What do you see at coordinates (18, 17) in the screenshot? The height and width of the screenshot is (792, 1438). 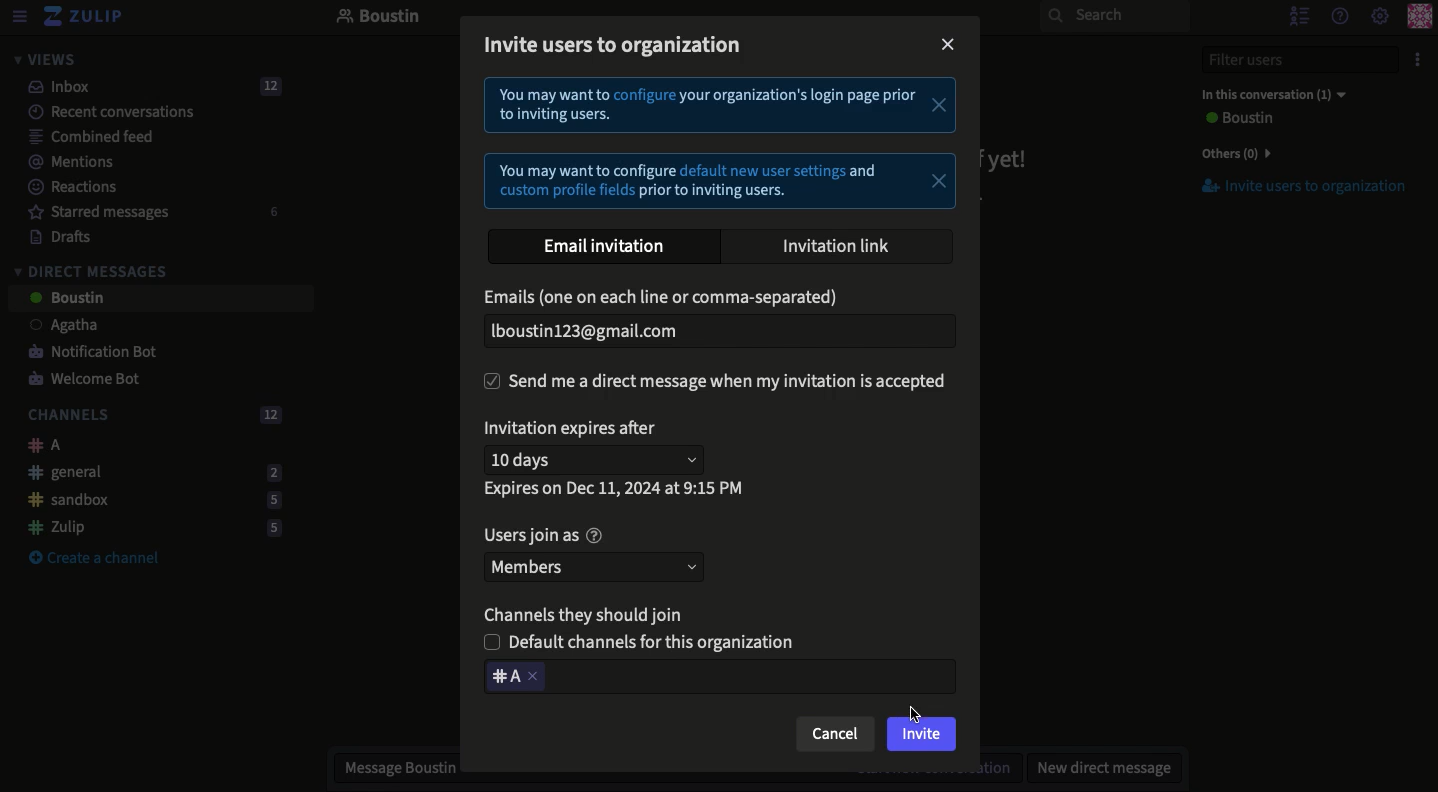 I see `View menu` at bounding box center [18, 17].